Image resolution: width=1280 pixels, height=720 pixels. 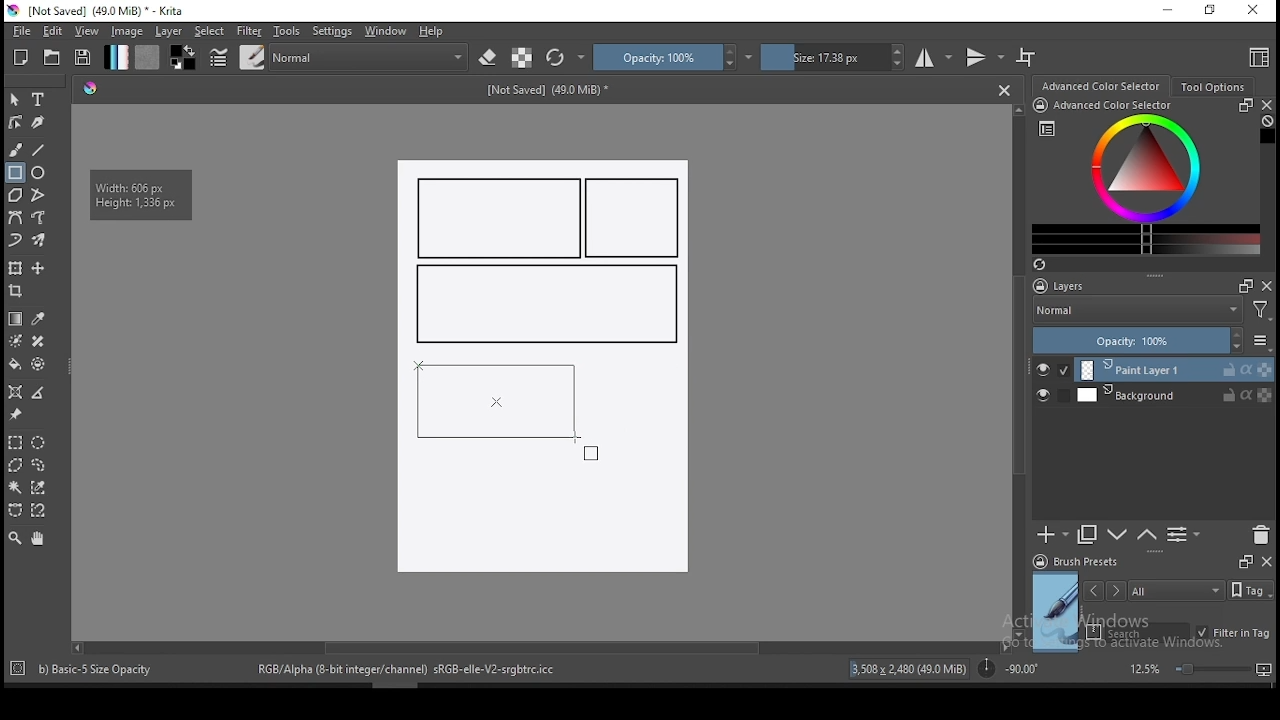 What do you see at coordinates (38, 269) in the screenshot?
I see `move a layer` at bounding box center [38, 269].